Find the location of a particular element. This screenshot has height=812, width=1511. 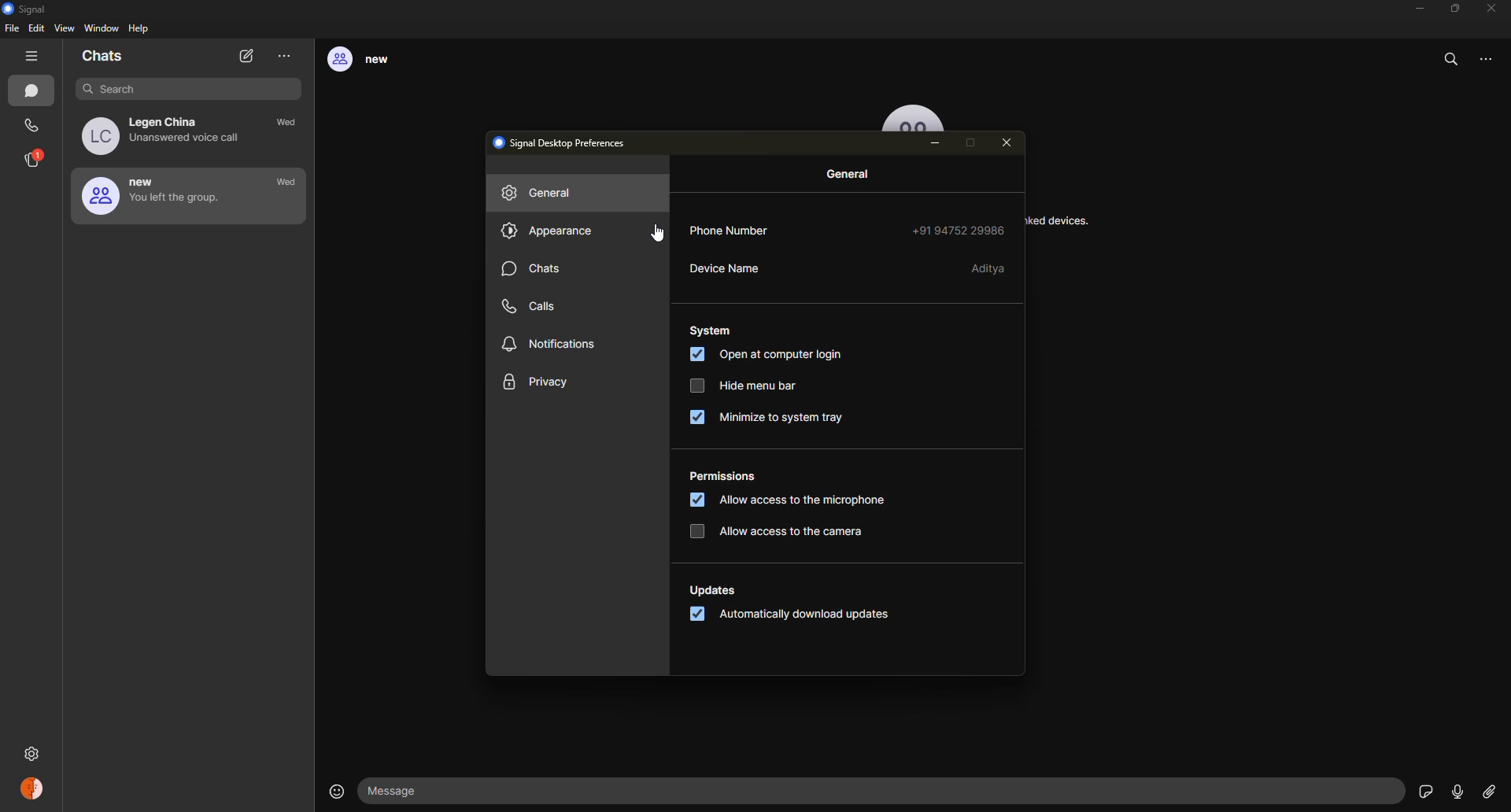

search is located at coordinates (178, 88).